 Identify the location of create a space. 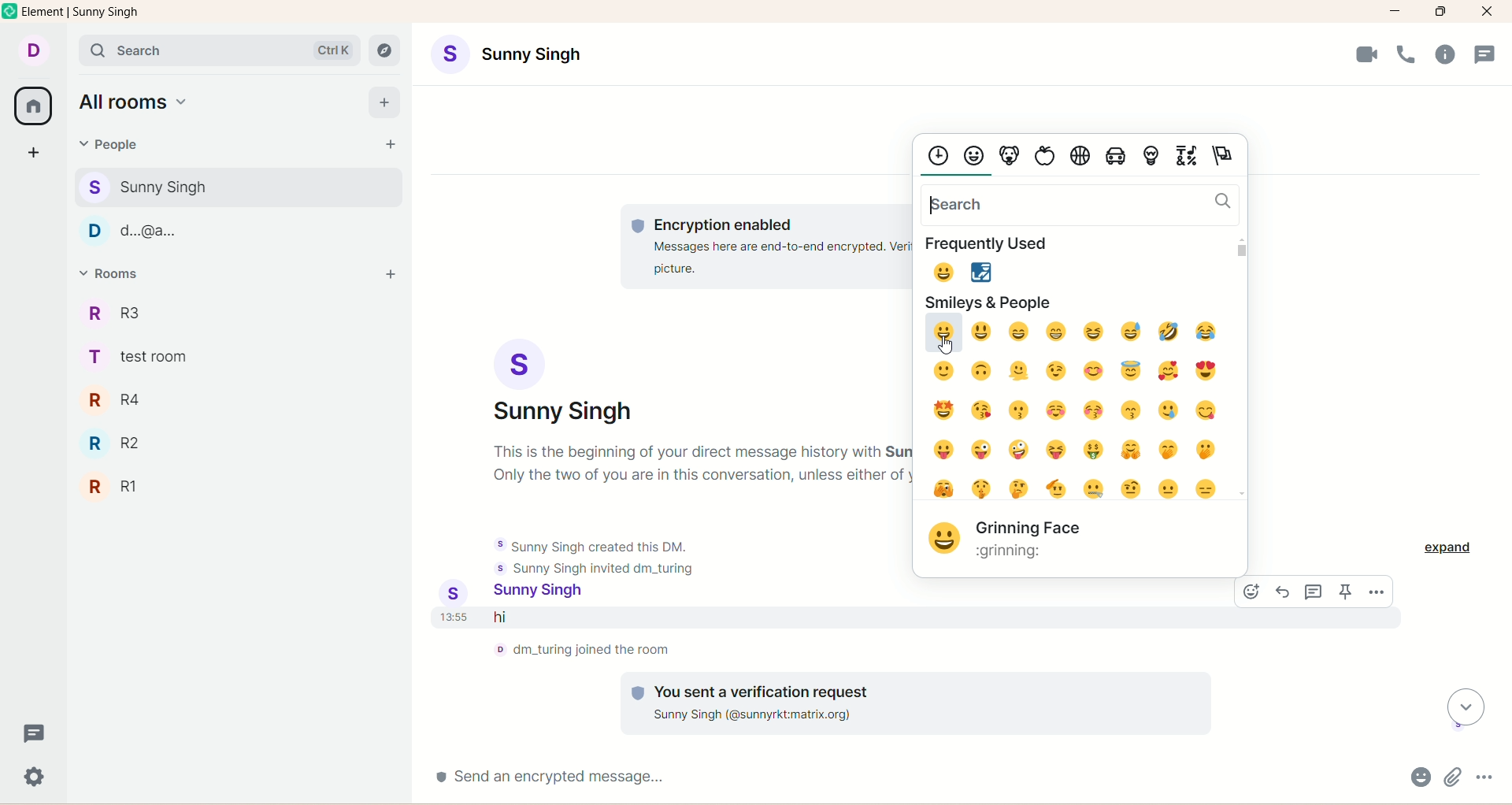
(34, 154).